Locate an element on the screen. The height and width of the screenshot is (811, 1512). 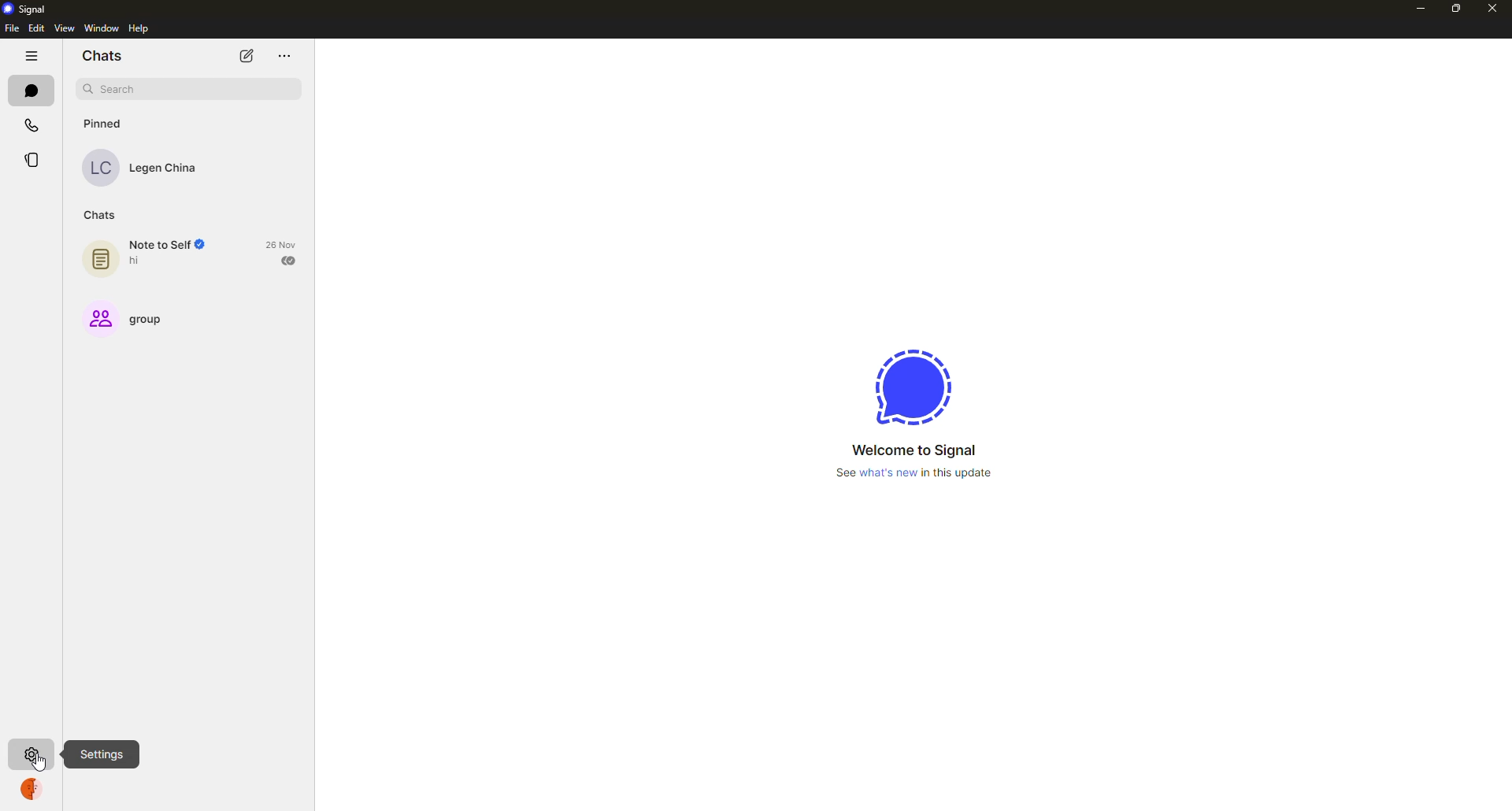
settings is located at coordinates (102, 753).